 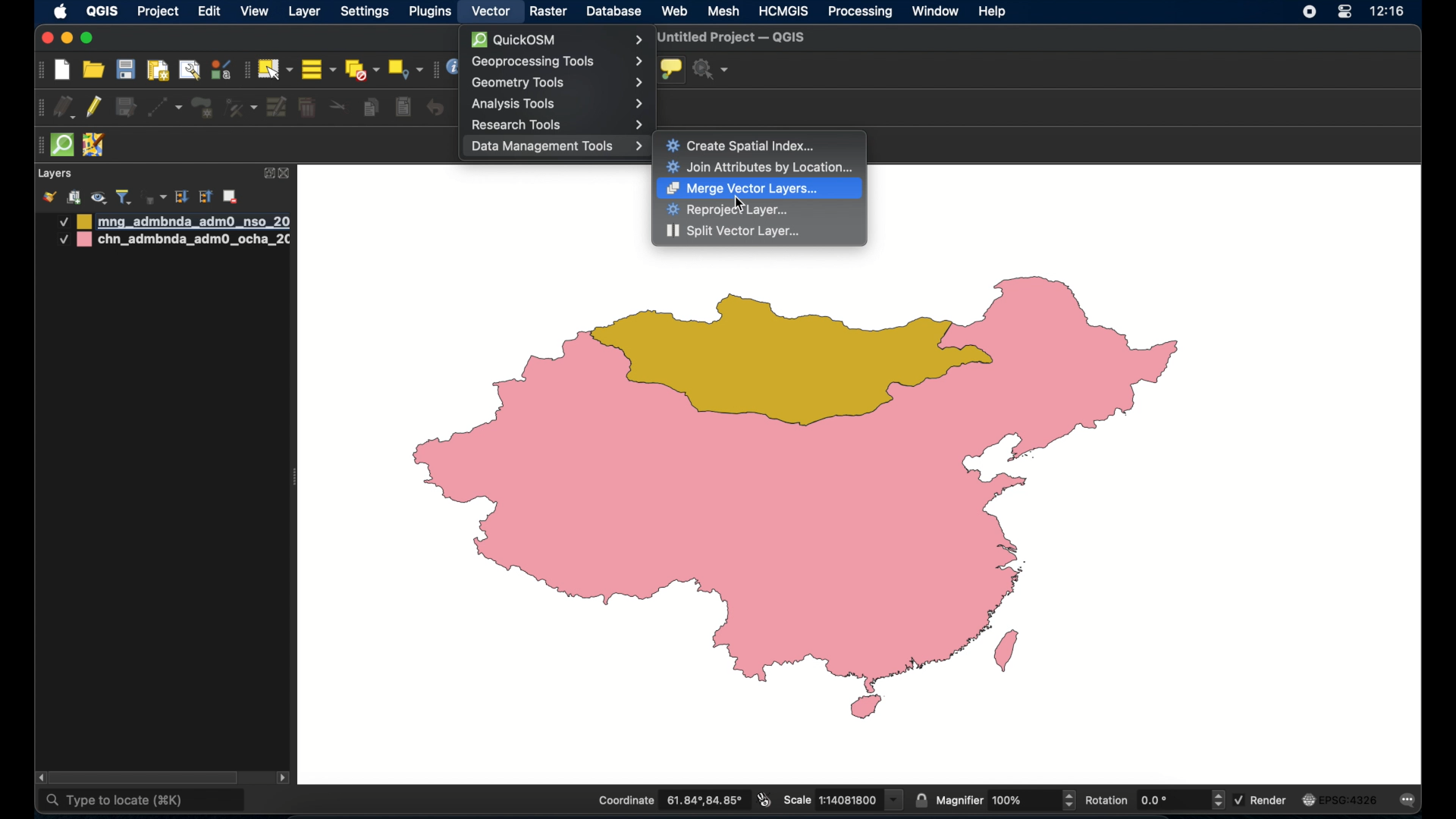 I want to click on create new project, so click(x=63, y=71).